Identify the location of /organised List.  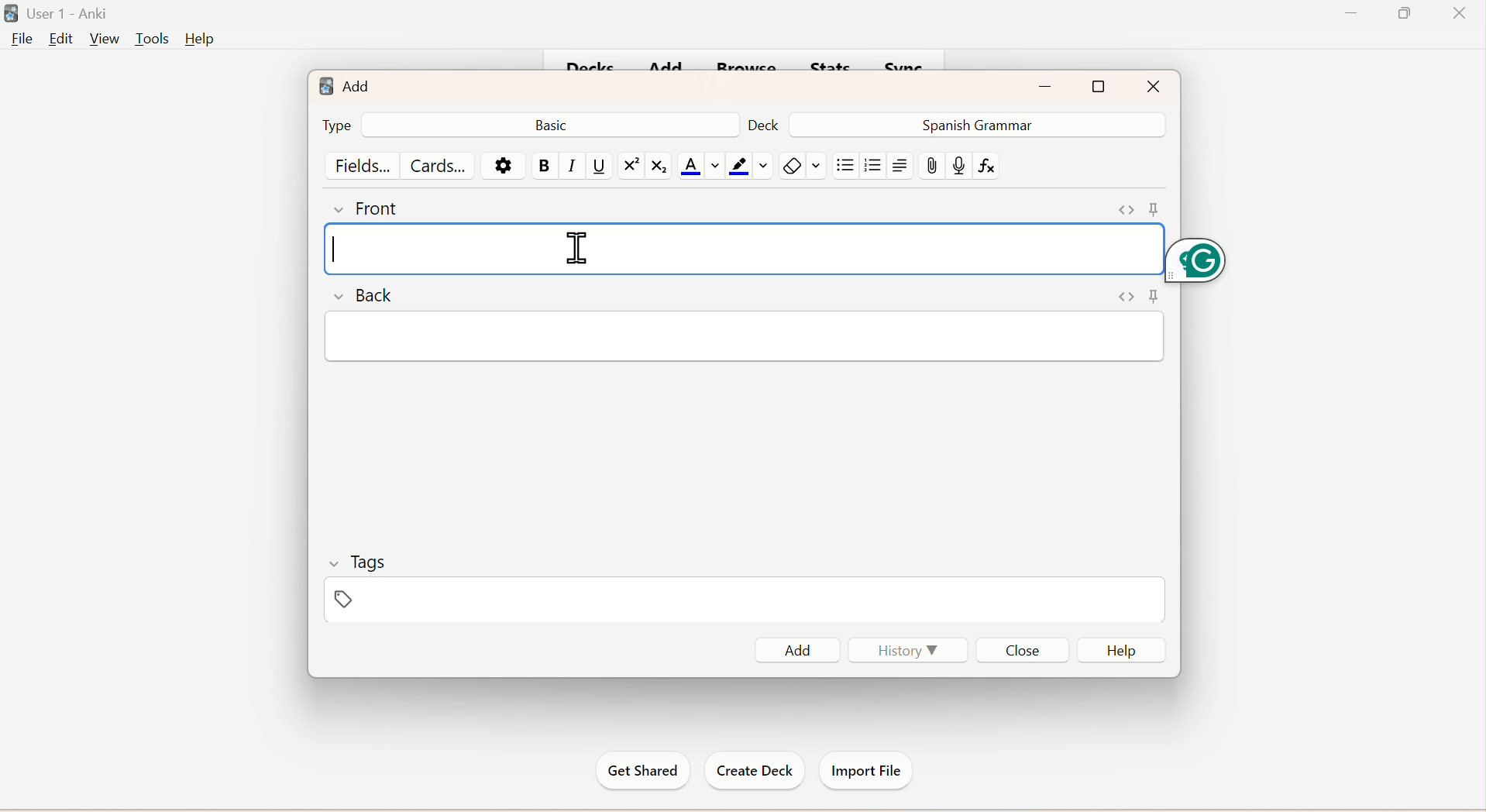
(870, 167).